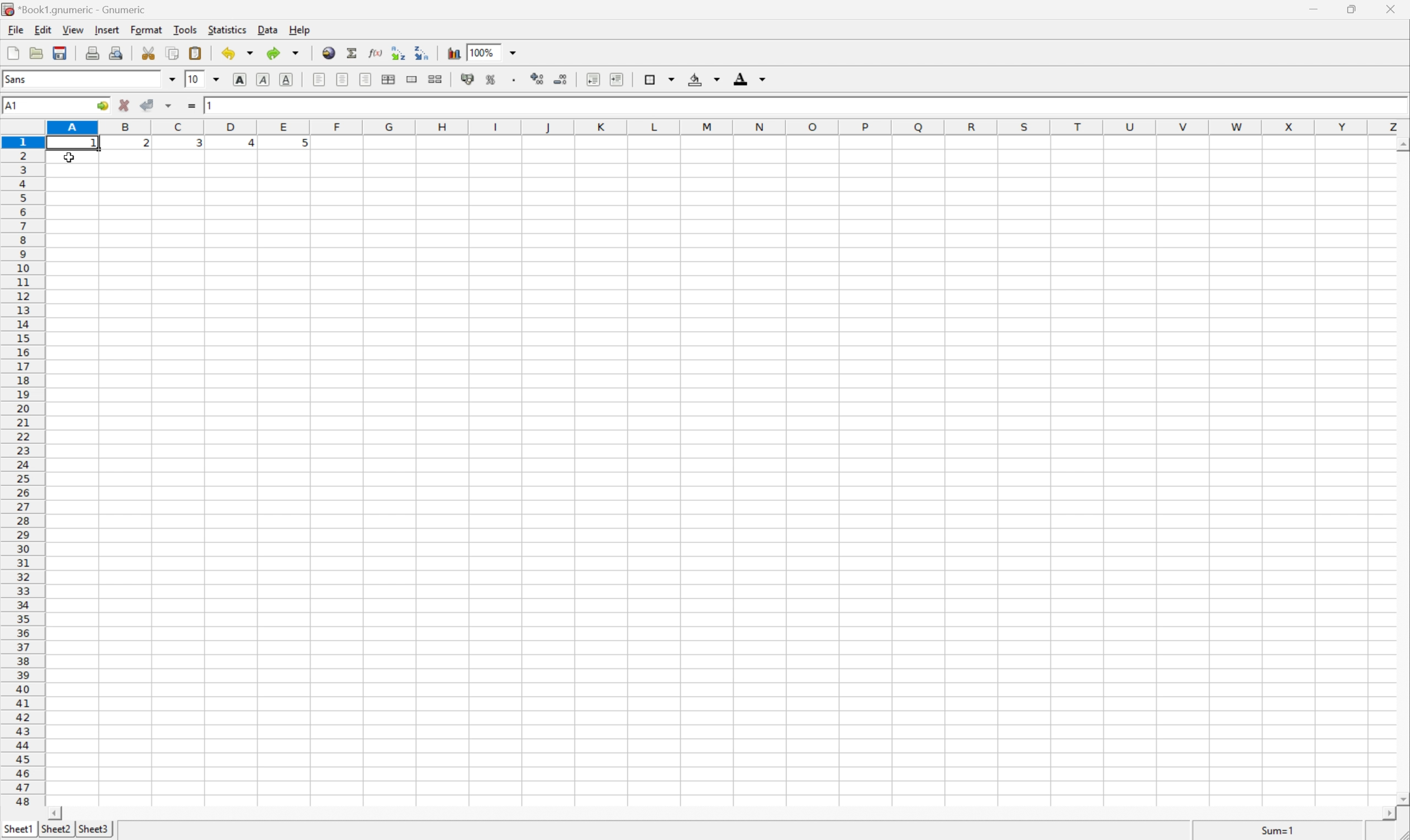  Describe the element at coordinates (752, 80) in the screenshot. I see `foreground` at that location.